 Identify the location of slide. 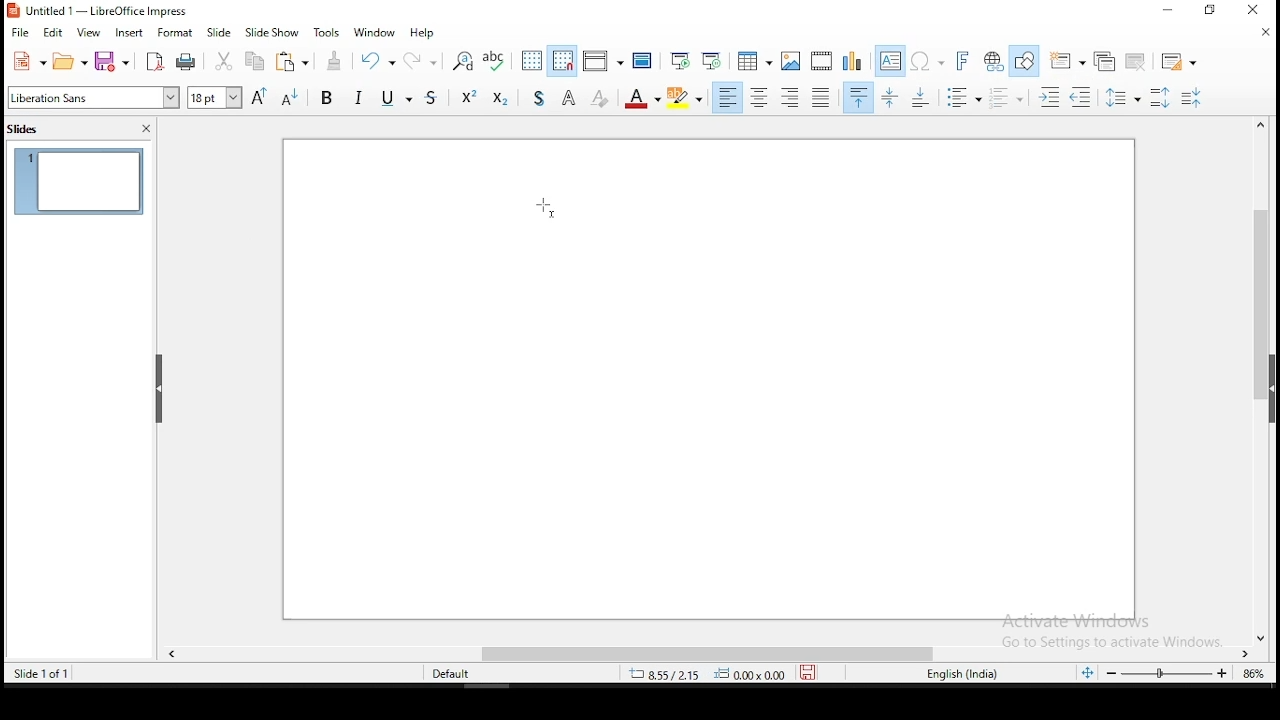
(79, 183).